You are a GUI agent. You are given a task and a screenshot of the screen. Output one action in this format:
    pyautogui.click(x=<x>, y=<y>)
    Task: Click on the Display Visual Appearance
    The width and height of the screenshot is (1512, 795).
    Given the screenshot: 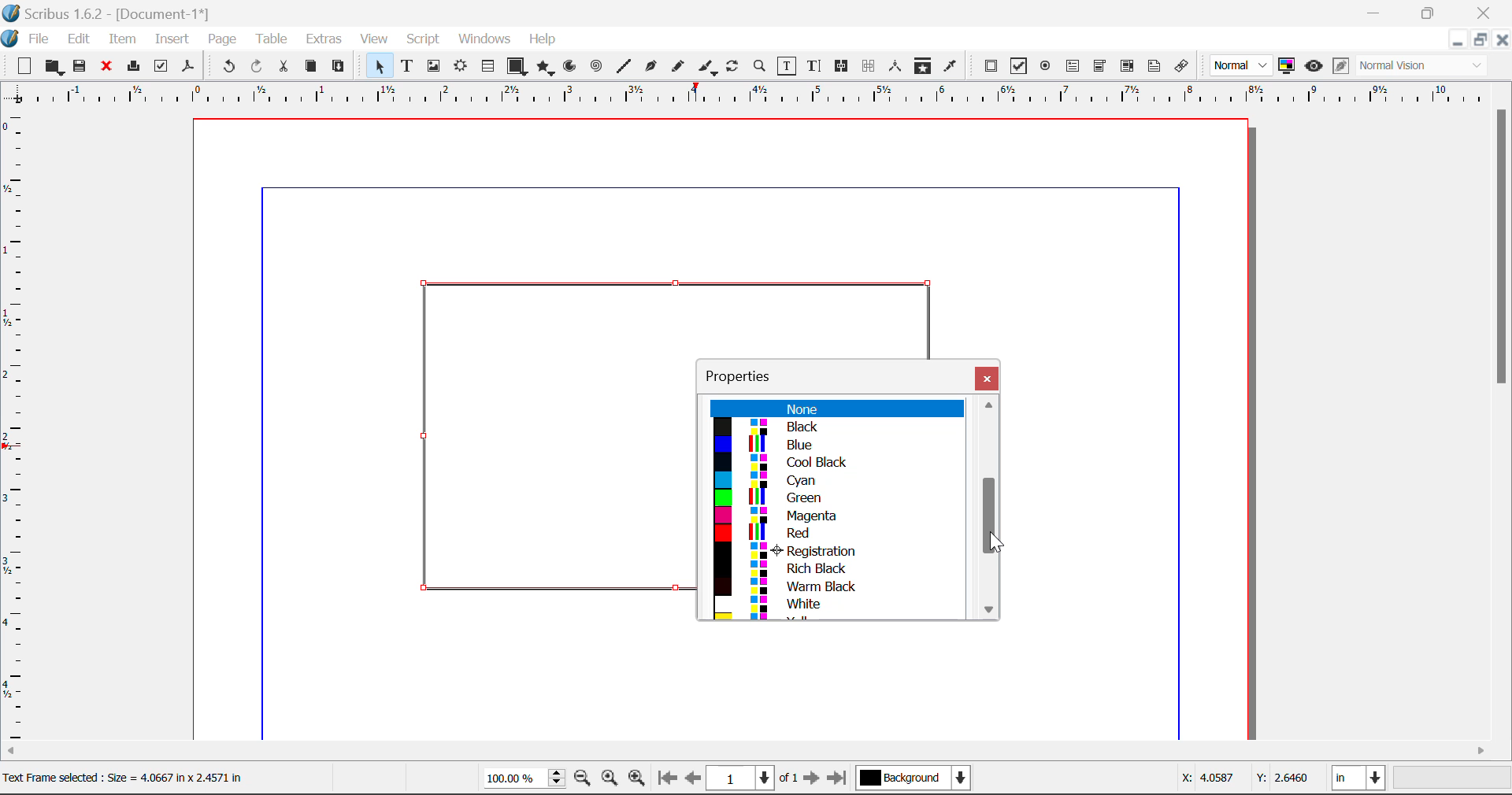 What is the action you would take?
    pyautogui.click(x=1428, y=66)
    